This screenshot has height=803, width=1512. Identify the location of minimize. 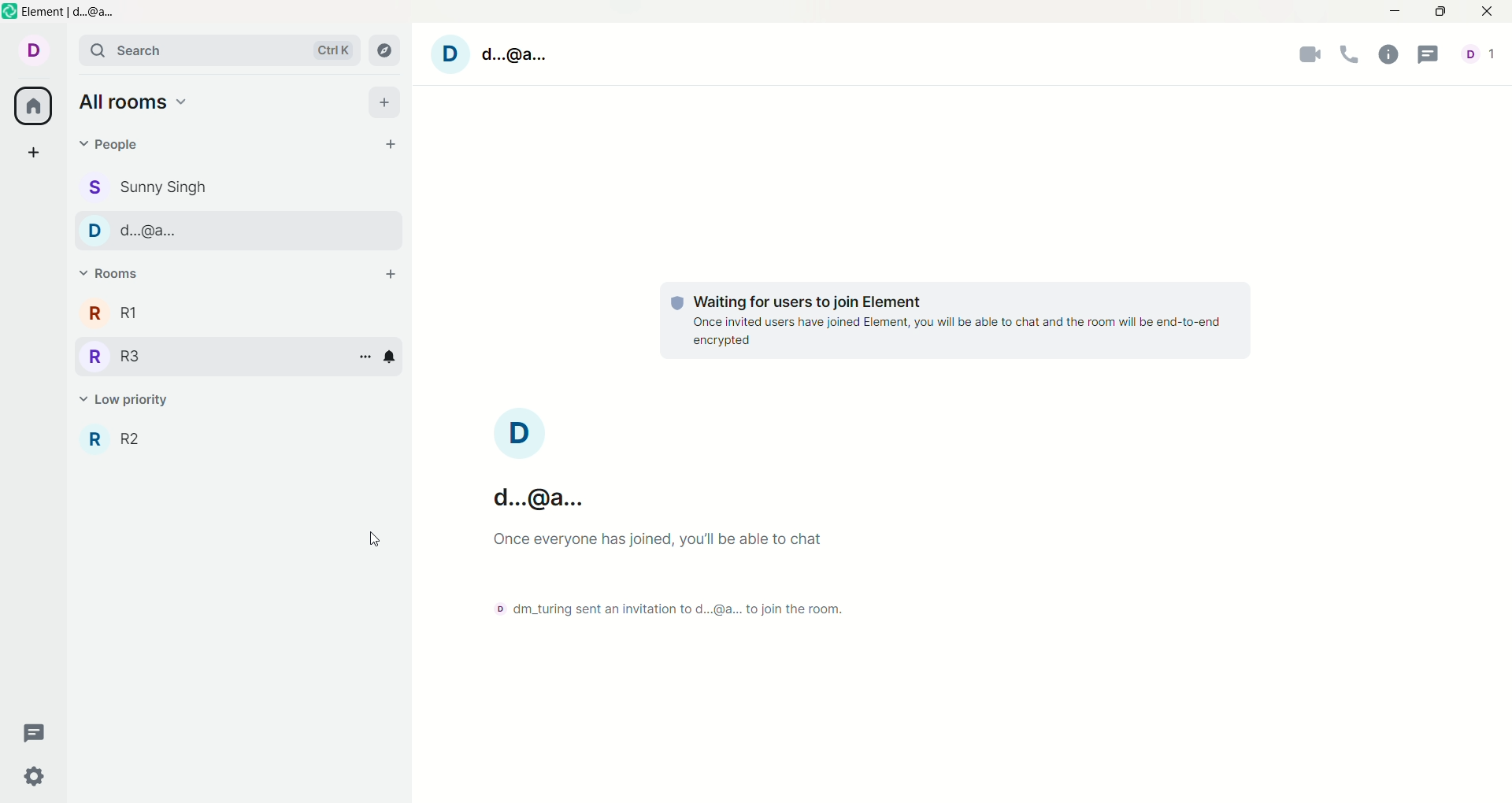
(1400, 10).